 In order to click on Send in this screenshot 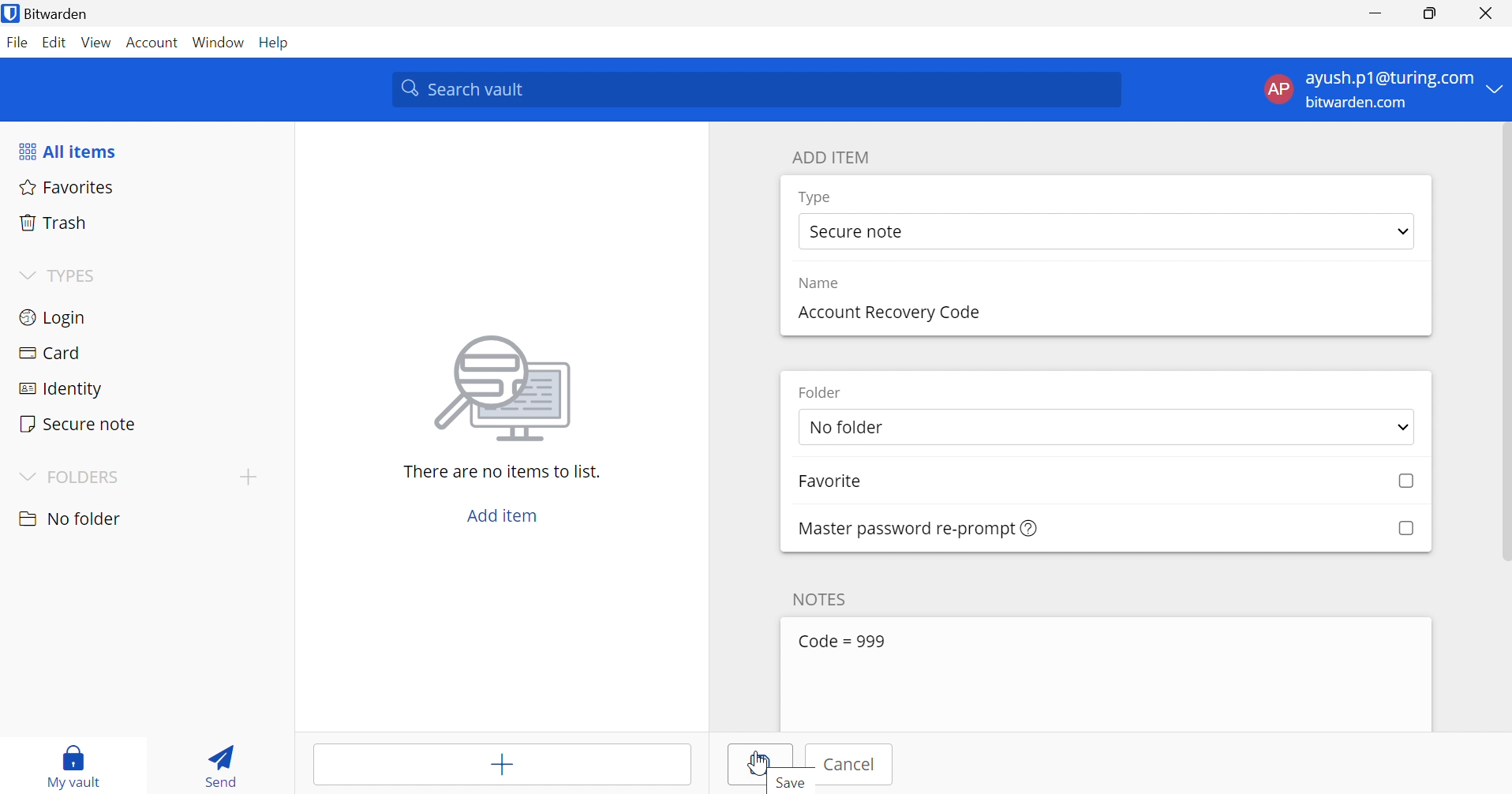, I will do `click(219, 769)`.